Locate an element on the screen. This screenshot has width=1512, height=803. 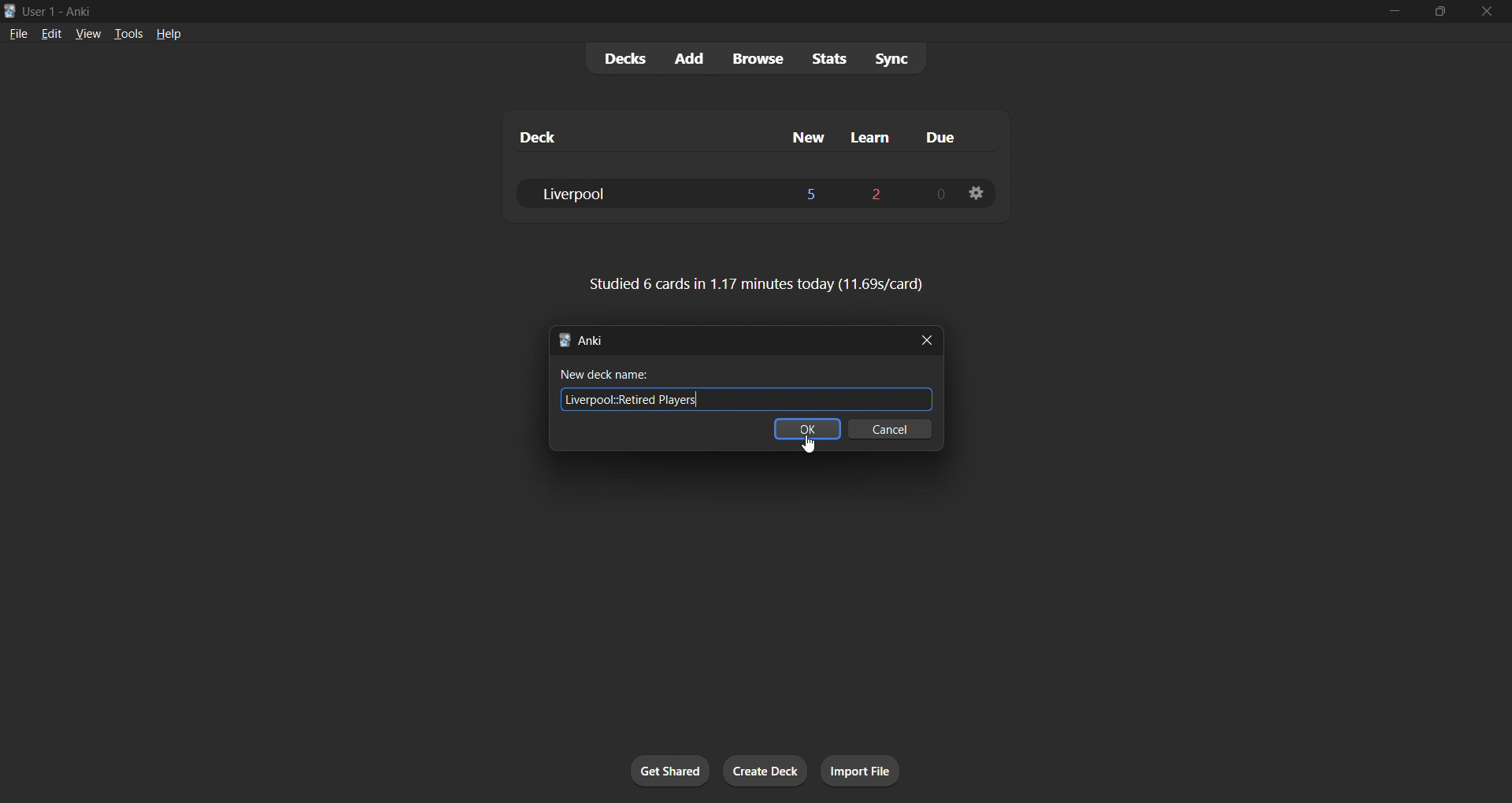
new deck name input field is located at coordinates (747, 398).